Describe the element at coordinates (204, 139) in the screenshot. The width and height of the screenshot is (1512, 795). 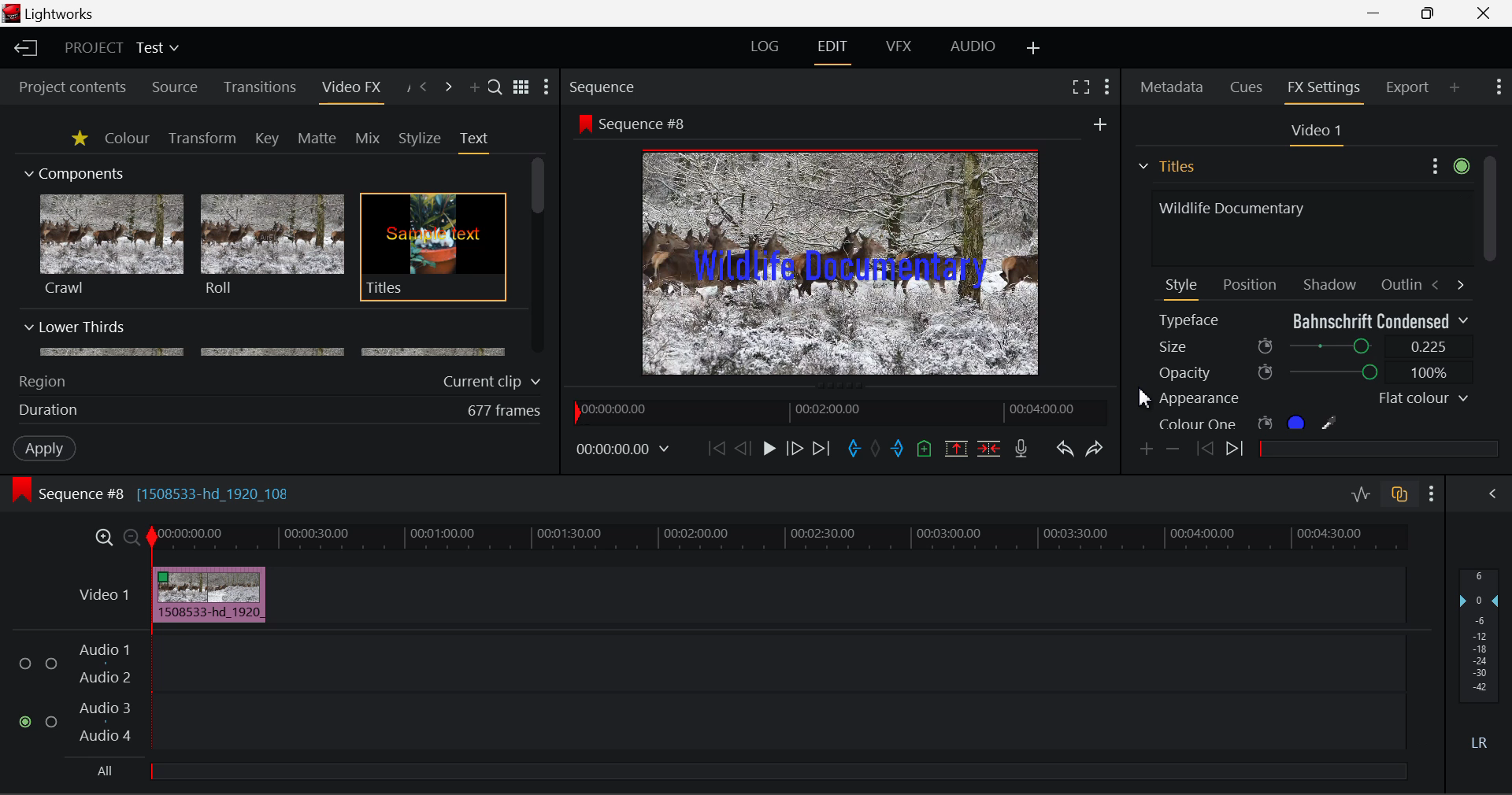
I see `Transform` at that location.